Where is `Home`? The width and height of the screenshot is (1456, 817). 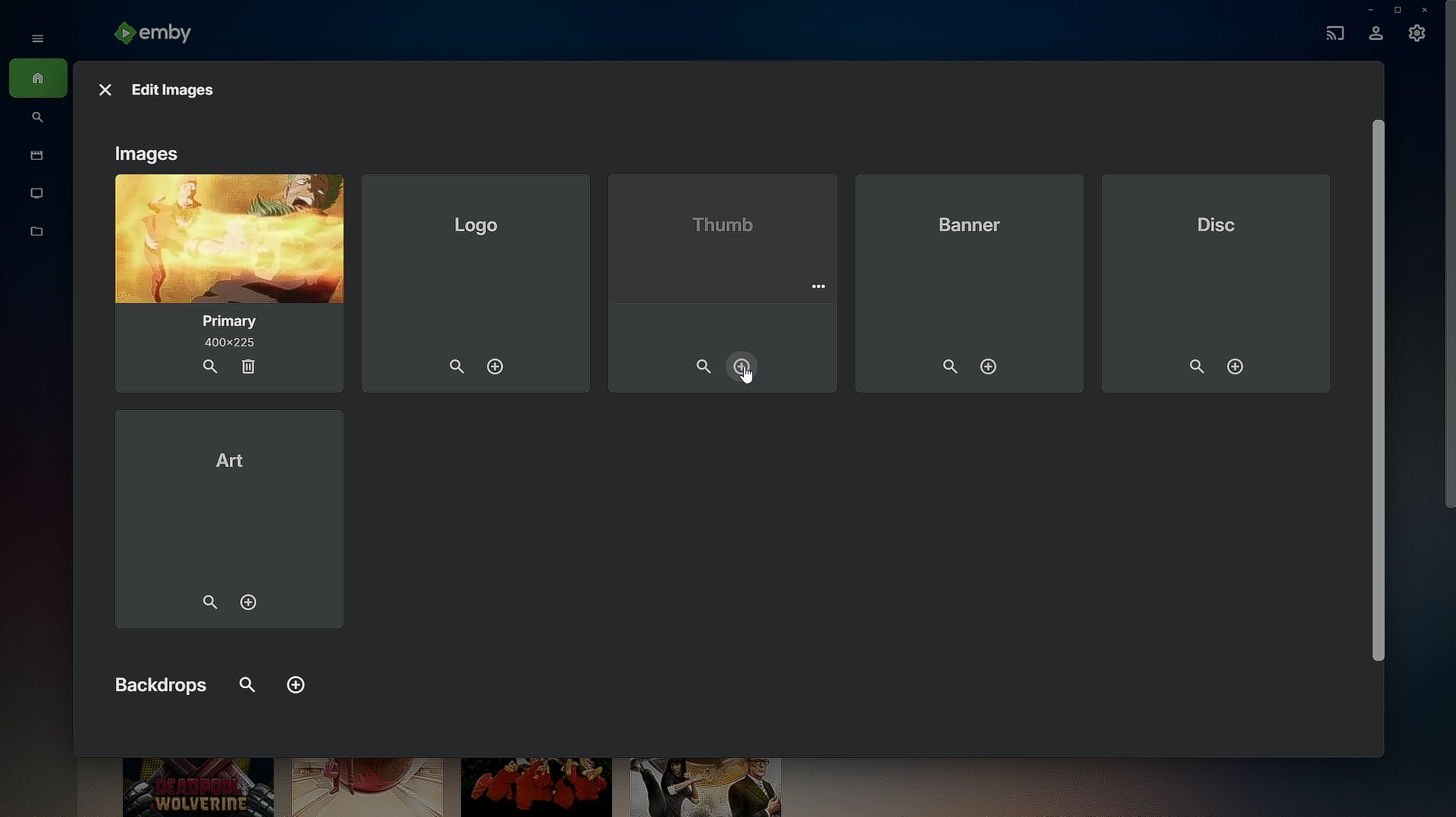 Home is located at coordinates (38, 80).